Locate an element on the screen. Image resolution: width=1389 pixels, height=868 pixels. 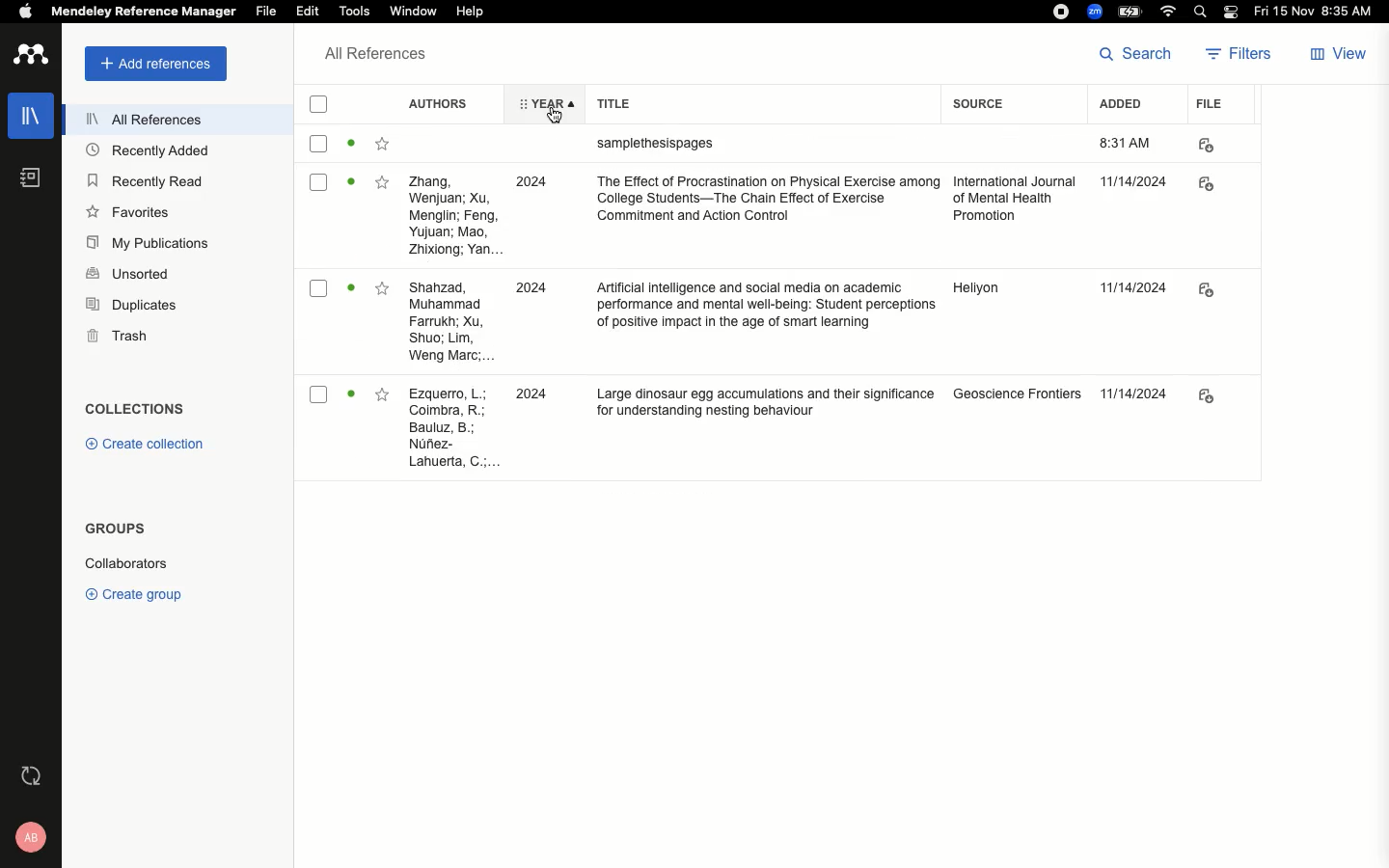
title is located at coordinates (711, 142).